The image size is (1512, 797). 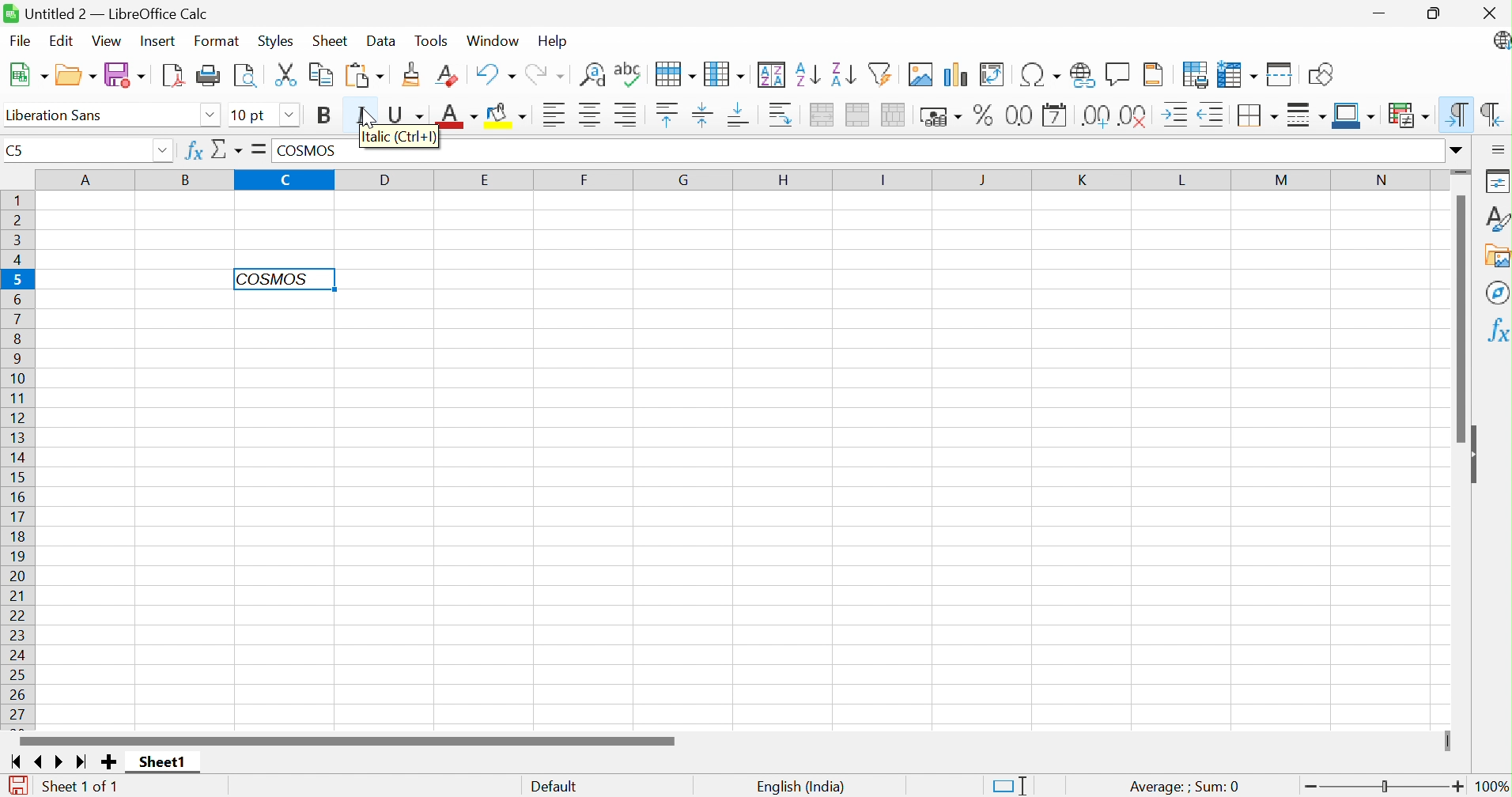 I want to click on Border style, so click(x=1304, y=115).